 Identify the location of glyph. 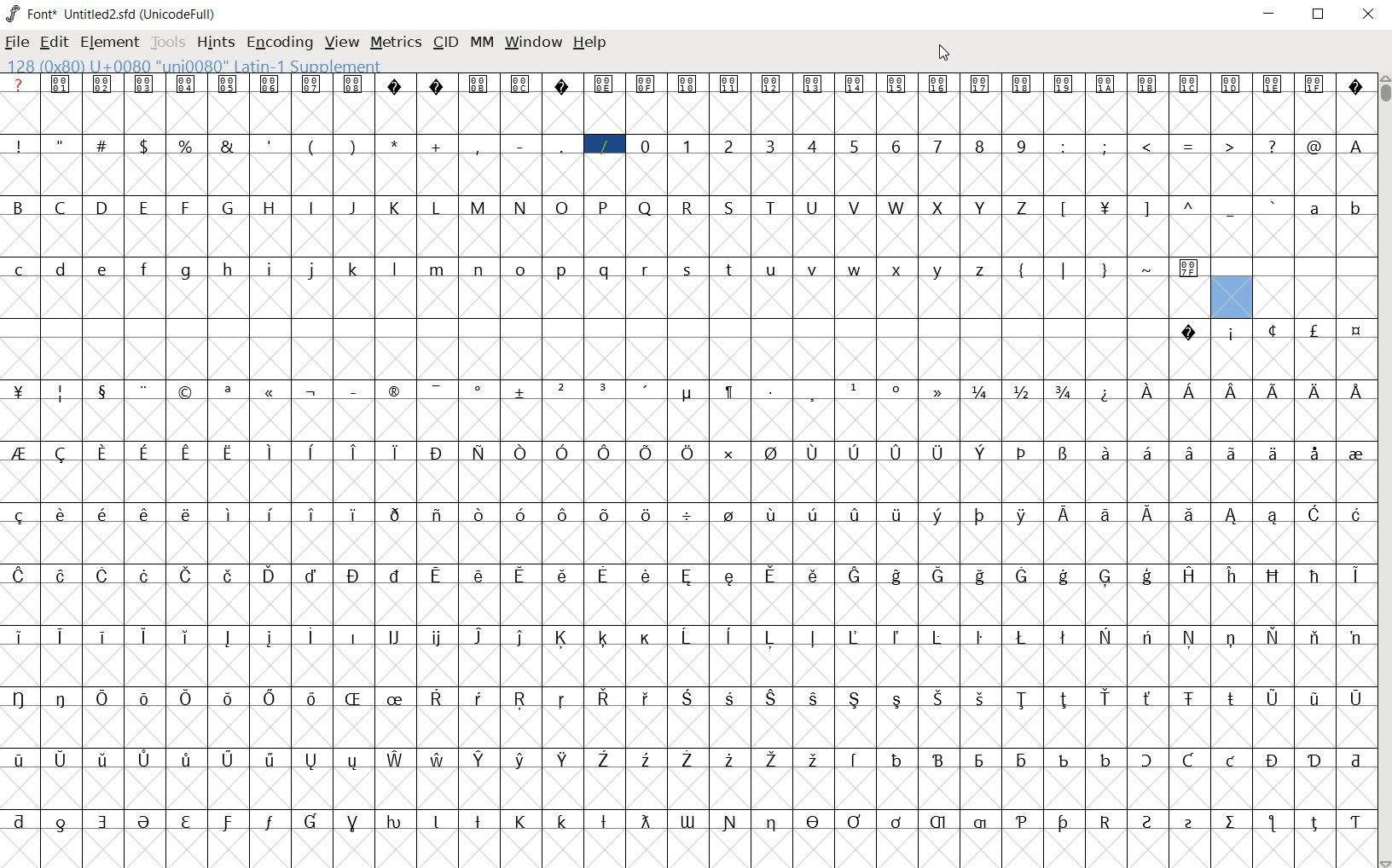
(855, 760).